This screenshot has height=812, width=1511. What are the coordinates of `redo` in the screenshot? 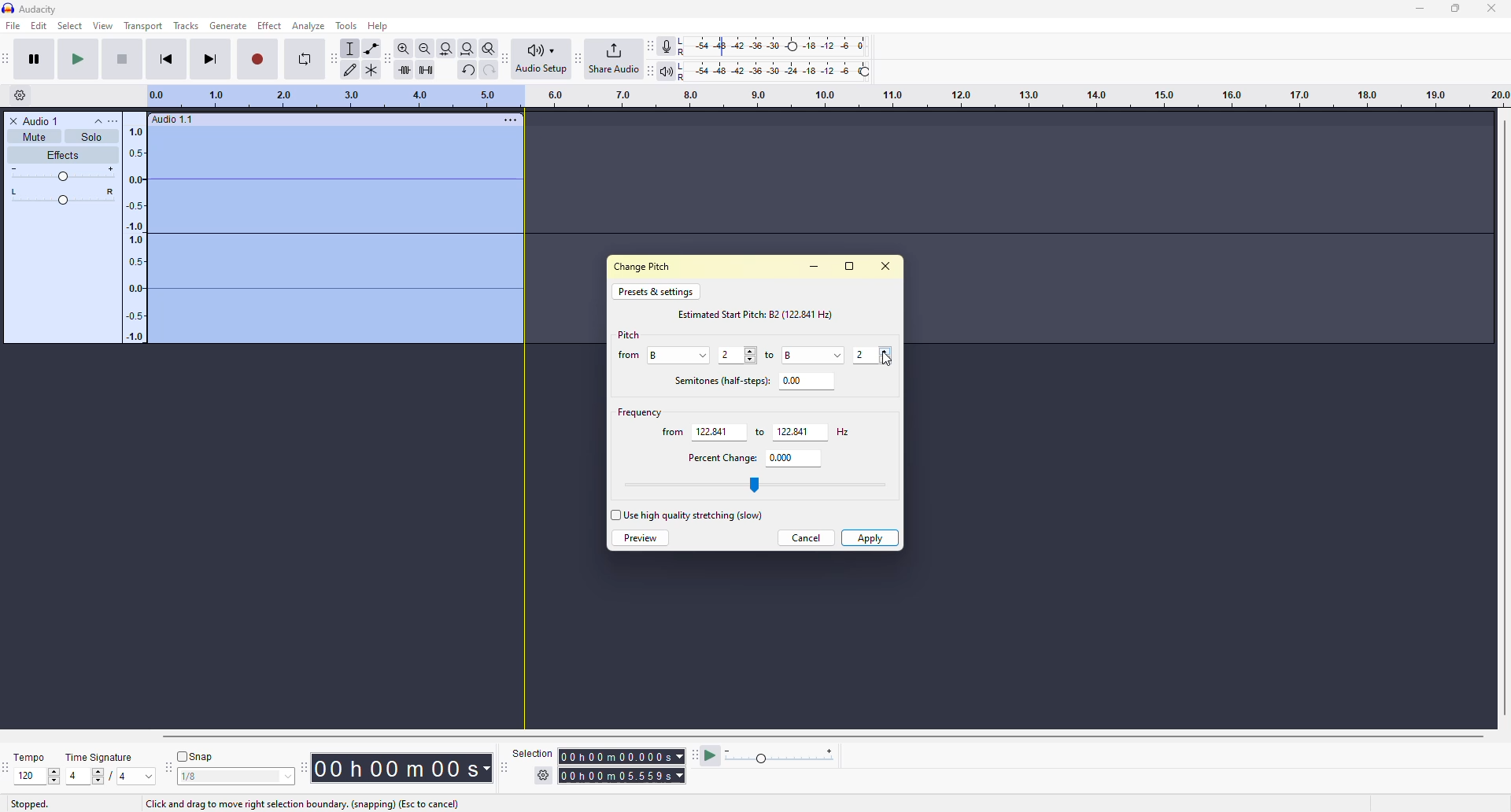 It's located at (489, 70).